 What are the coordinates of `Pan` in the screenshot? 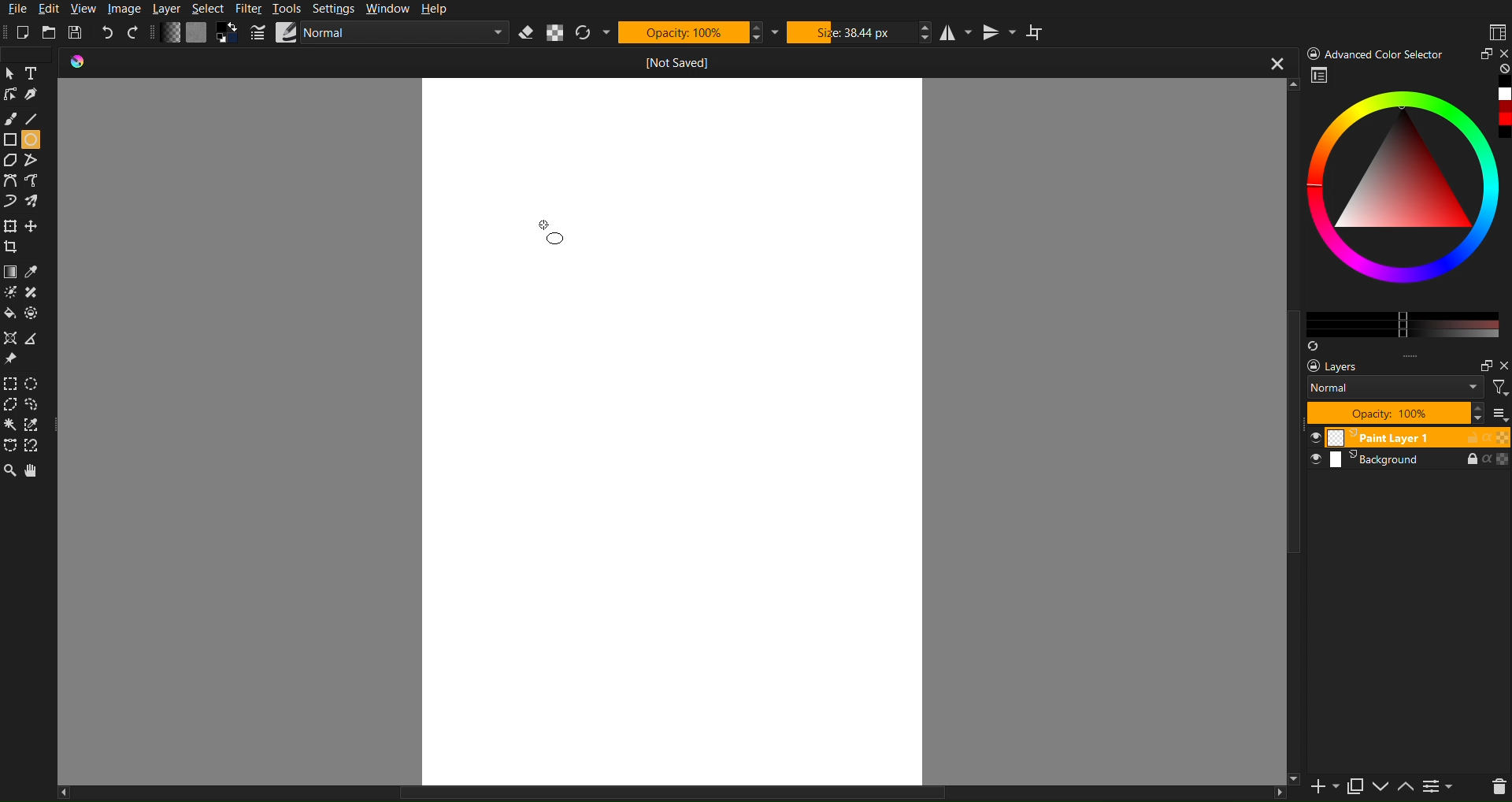 It's located at (39, 472).